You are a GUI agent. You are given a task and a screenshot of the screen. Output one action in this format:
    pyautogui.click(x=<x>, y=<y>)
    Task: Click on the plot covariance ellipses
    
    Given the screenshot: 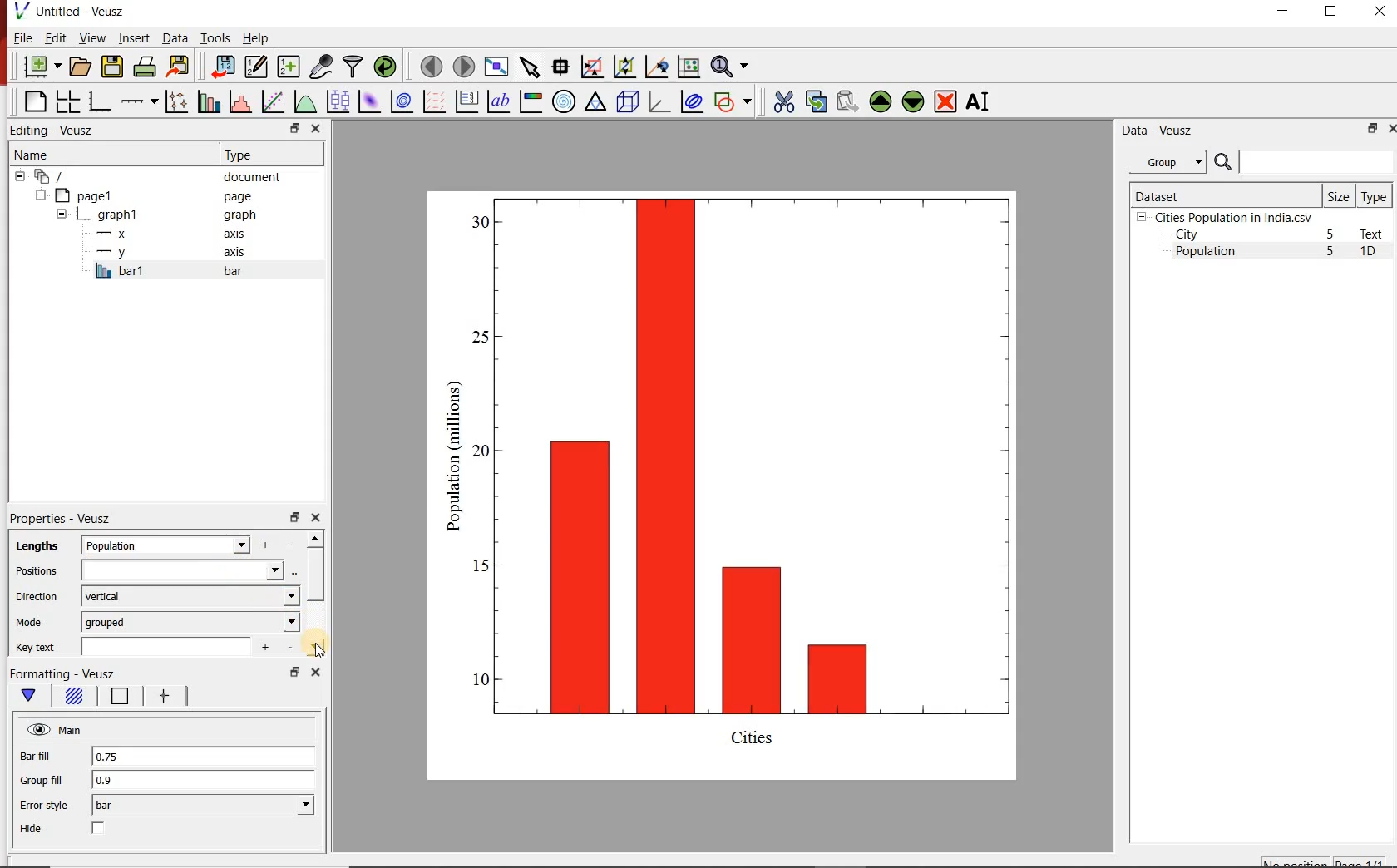 What is the action you would take?
    pyautogui.click(x=692, y=102)
    